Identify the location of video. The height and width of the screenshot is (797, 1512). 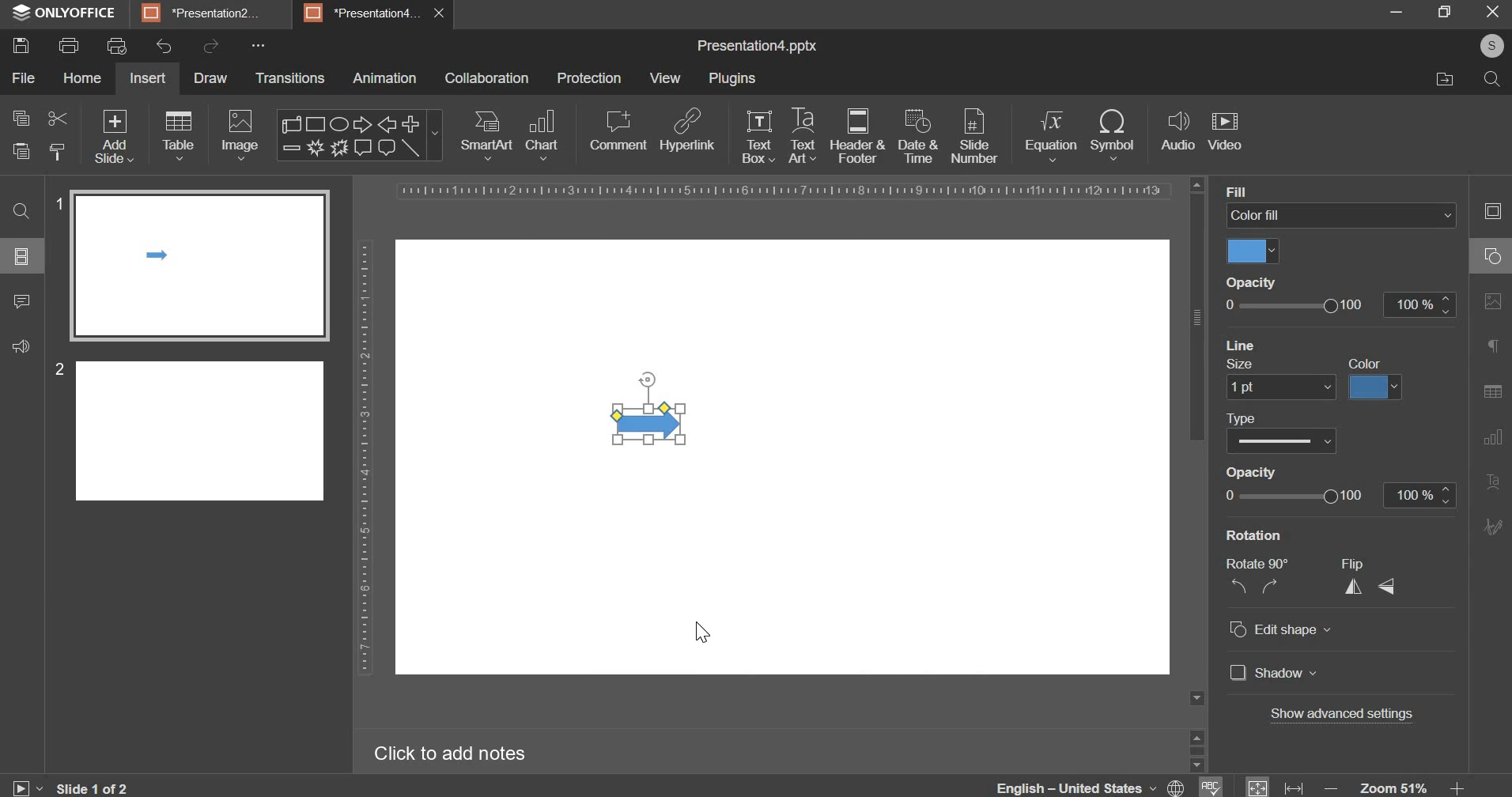
(1225, 130).